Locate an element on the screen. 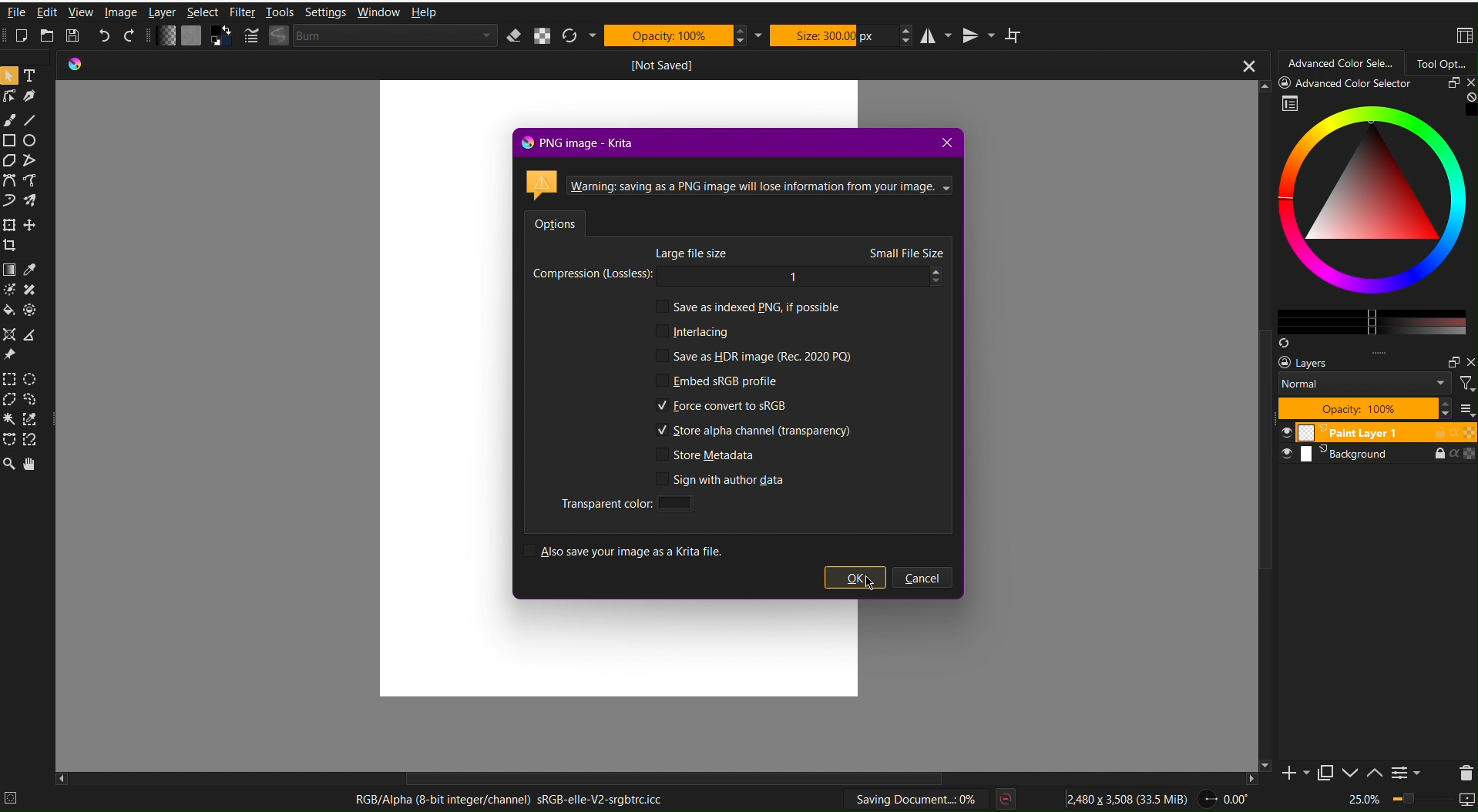  Options is located at coordinates (557, 220).